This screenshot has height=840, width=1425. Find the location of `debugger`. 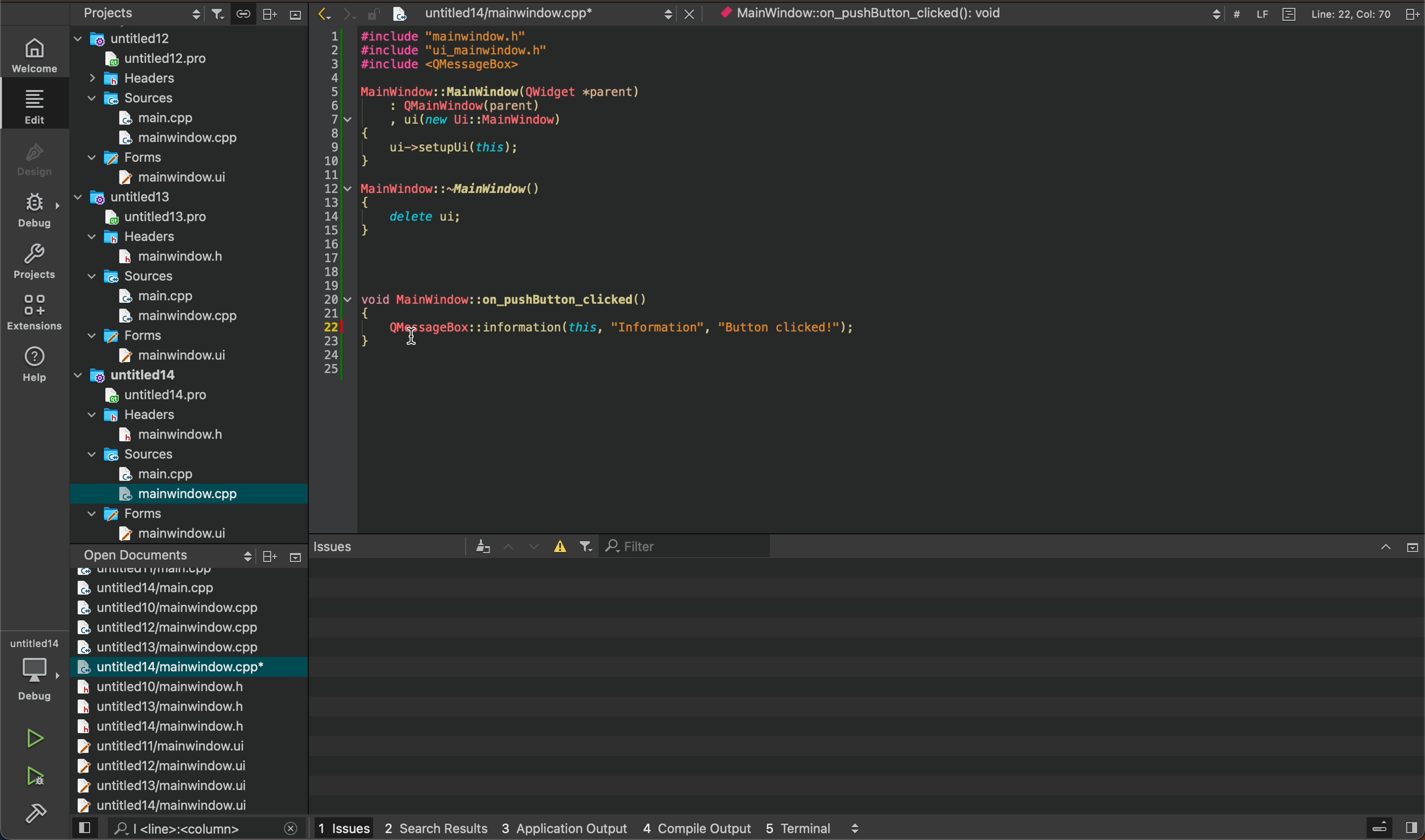

debugger is located at coordinates (37, 673).